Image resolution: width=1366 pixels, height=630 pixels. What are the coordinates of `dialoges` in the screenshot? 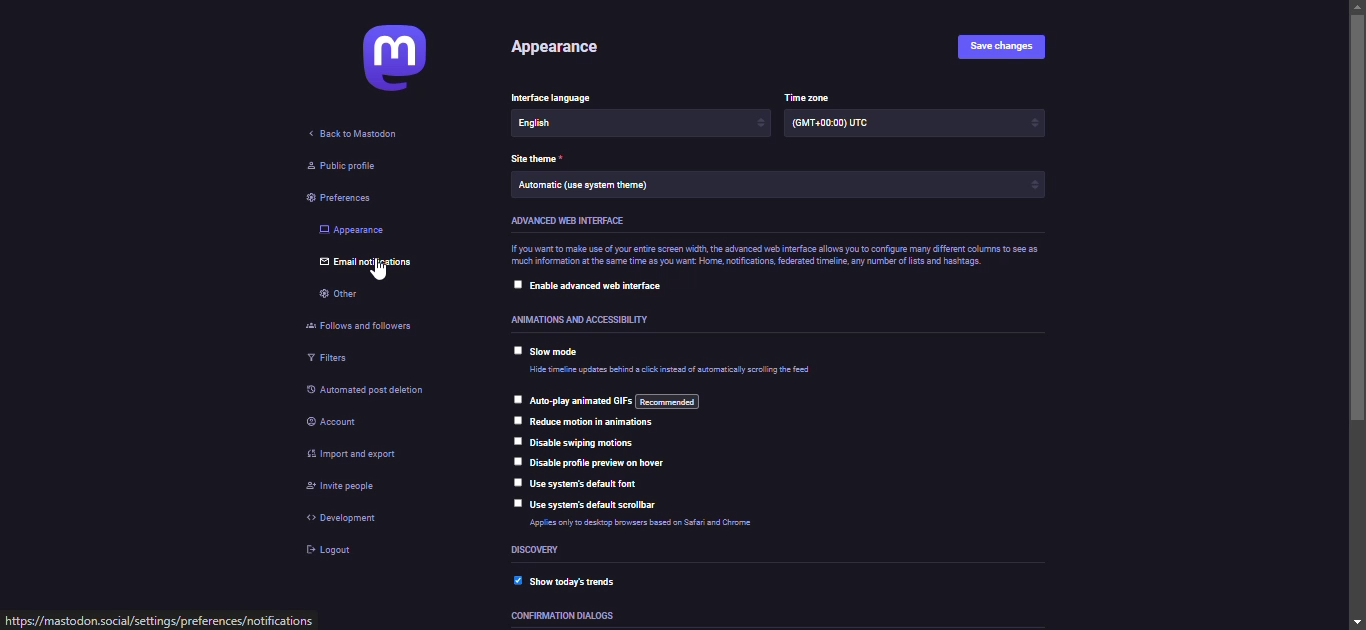 It's located at (561, 616).